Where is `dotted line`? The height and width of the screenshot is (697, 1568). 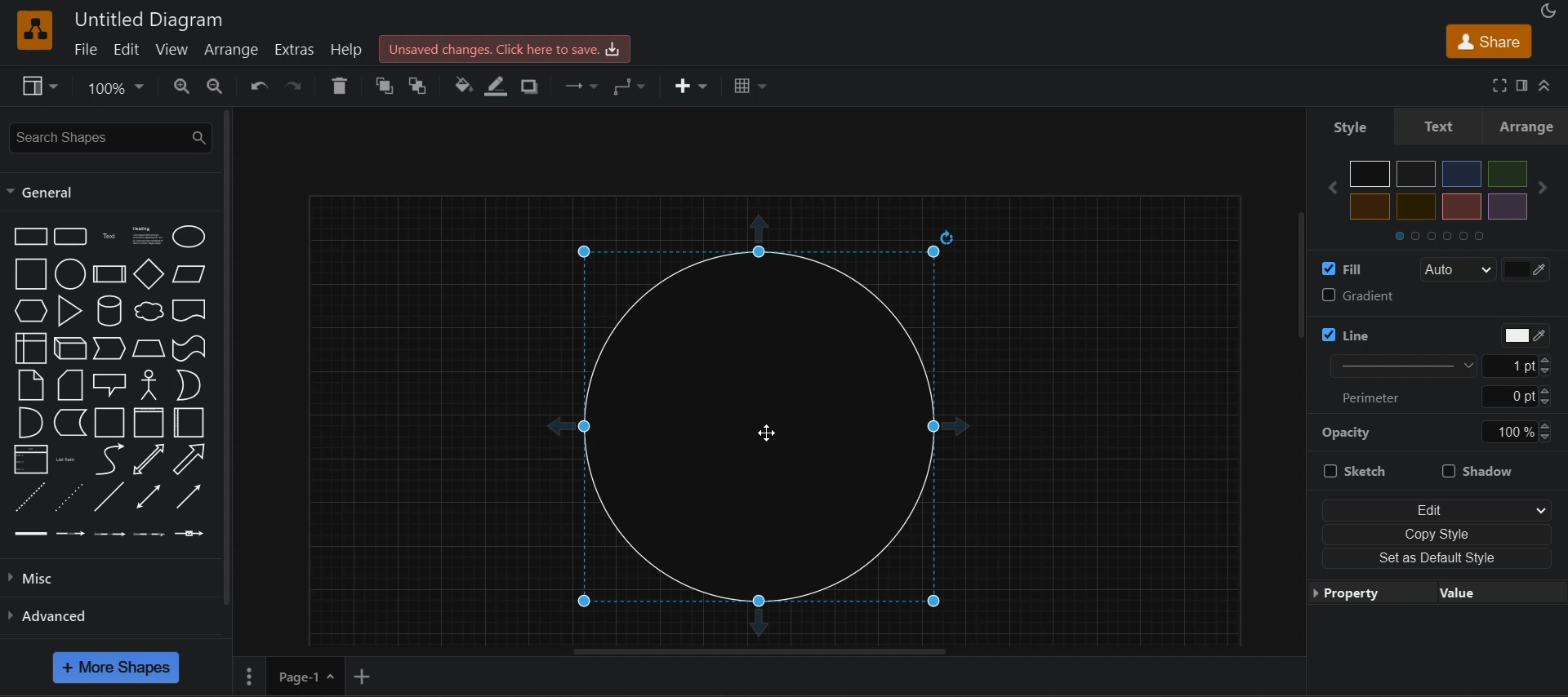 dotted line is located at coordinates (72, 499).